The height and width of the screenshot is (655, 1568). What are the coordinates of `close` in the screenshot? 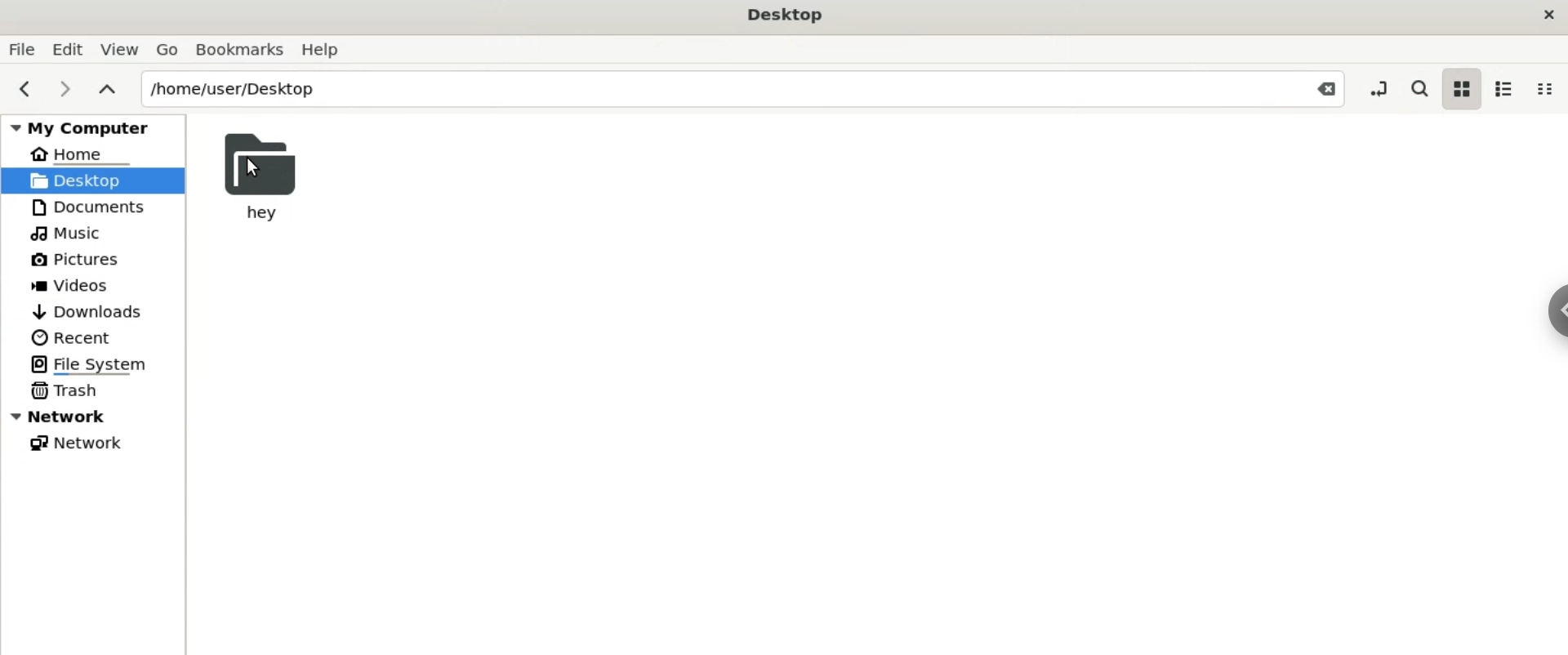 It's located at (1550, 16).